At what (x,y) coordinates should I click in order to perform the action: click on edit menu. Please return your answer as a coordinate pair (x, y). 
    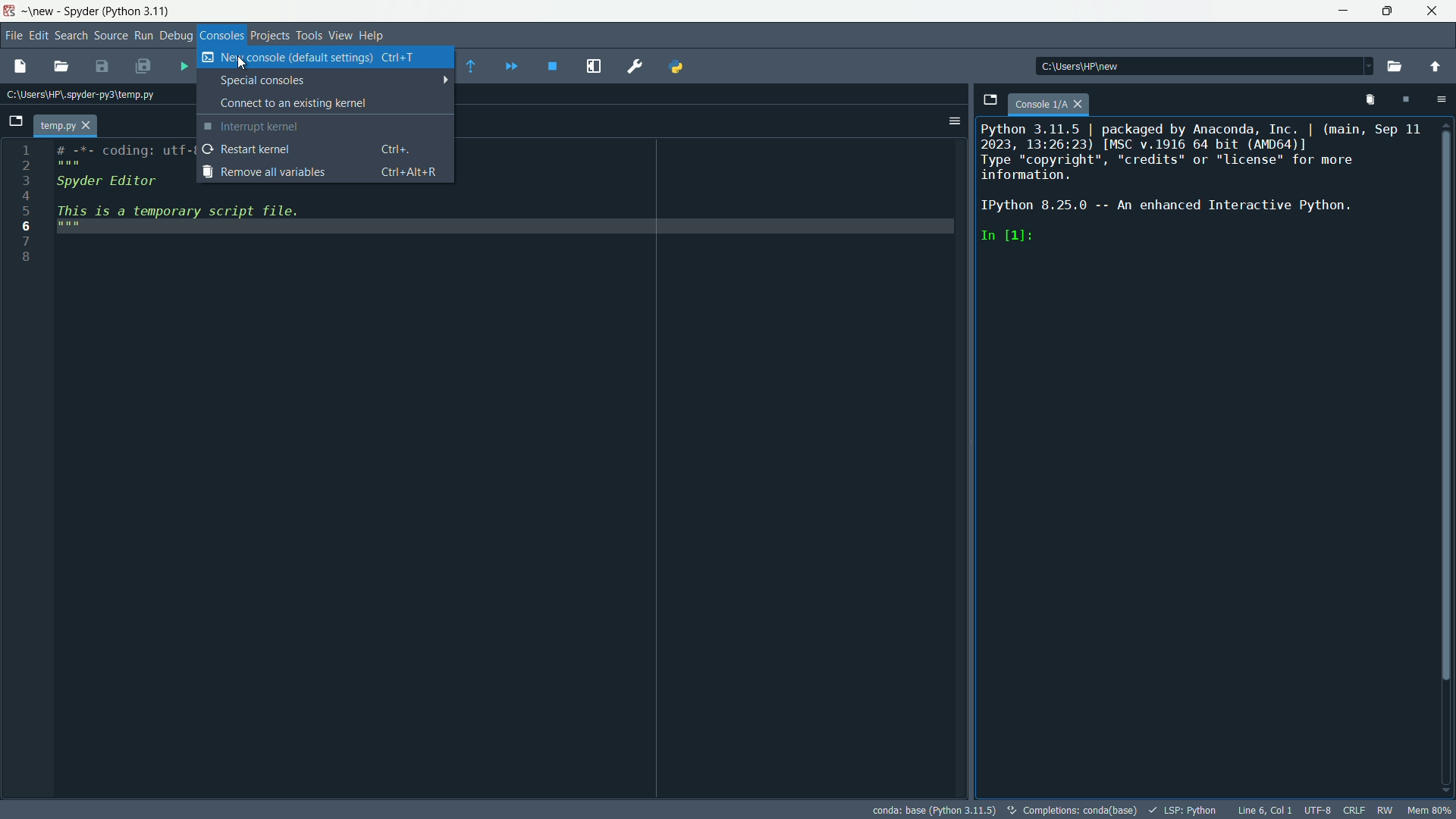
    Looking at the image, I should click on (39, 35).